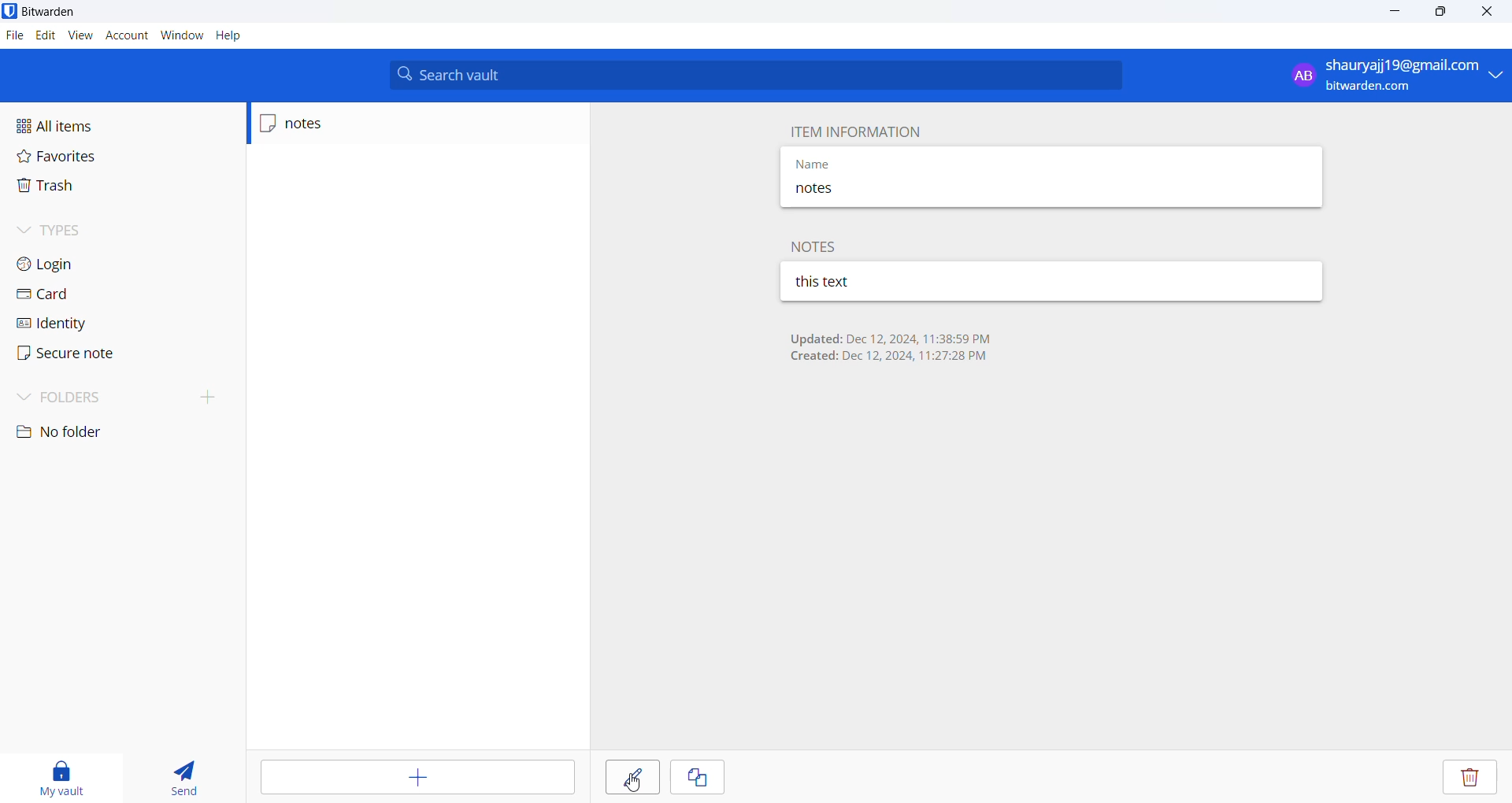  Describe the element at coordinates (328, 124) in the screenshot. I see `notes` at that location.